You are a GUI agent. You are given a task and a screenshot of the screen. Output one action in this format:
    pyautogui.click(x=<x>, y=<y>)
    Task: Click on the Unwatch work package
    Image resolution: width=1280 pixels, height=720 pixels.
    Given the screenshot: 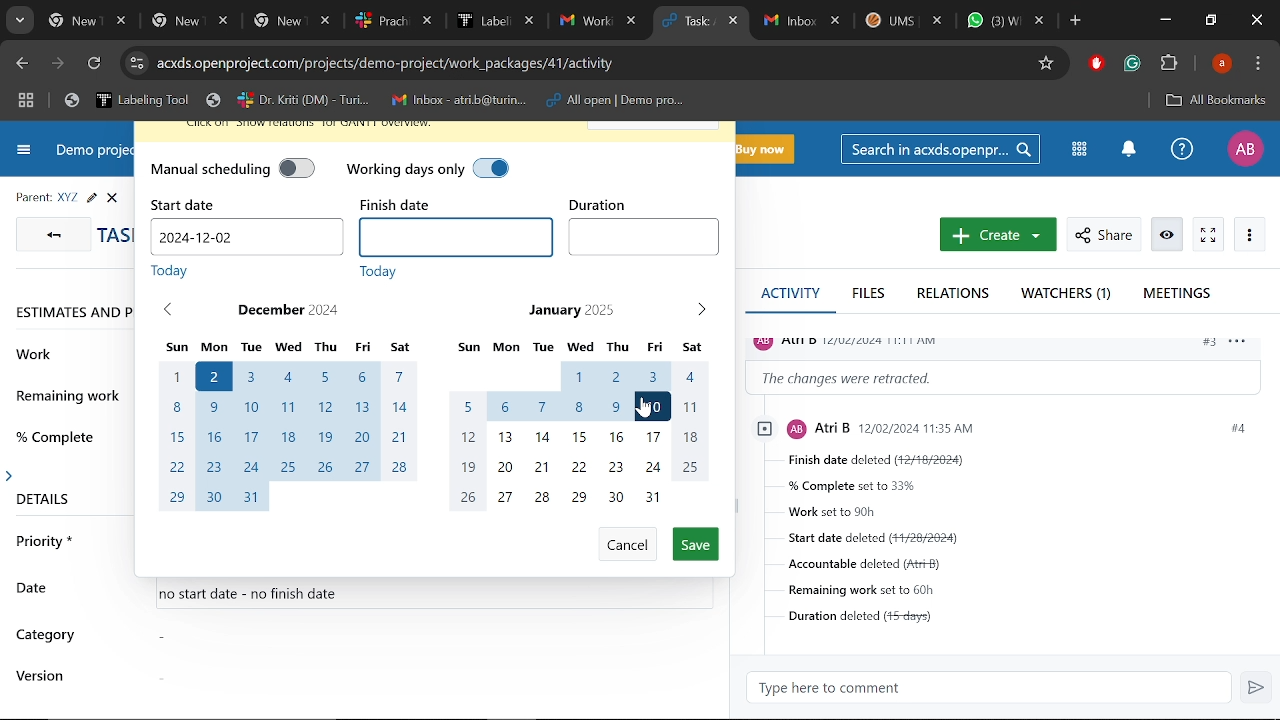 What is the action you would take?
    pyautogui.click(x=1169, y=235)
    